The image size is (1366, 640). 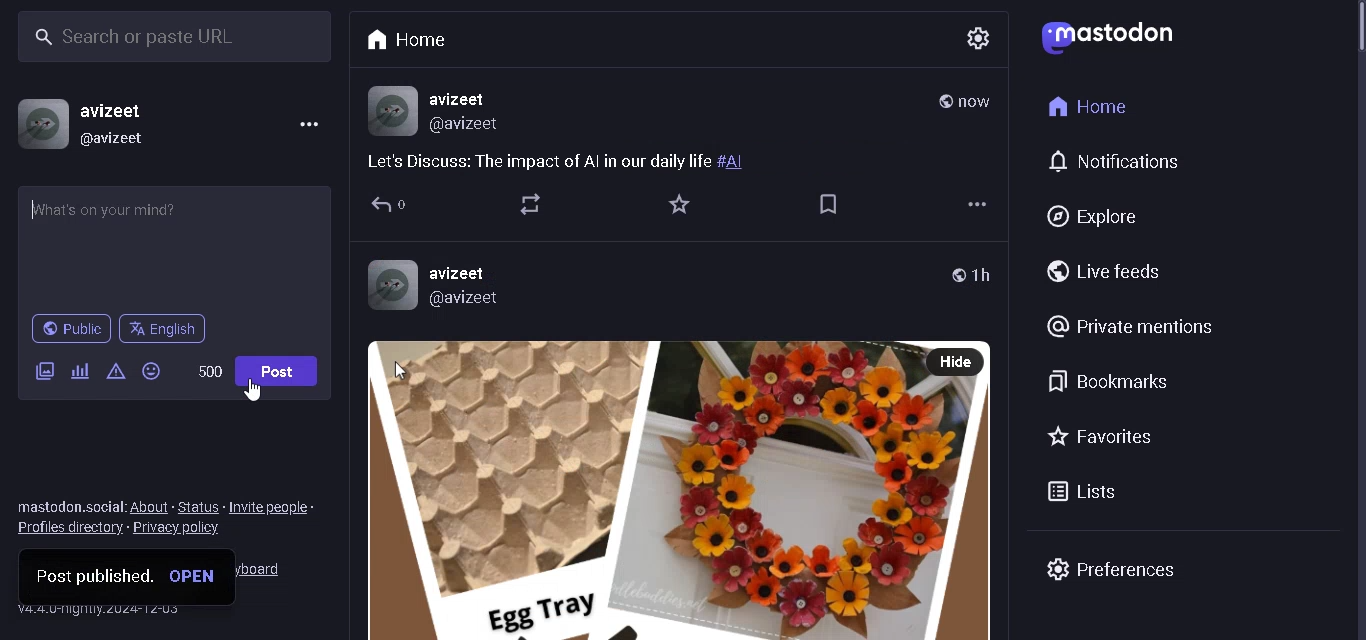 What do you see at coordinates (975, 207) in the screenshot?
I see `MORE` at bounding box center [975, 207].